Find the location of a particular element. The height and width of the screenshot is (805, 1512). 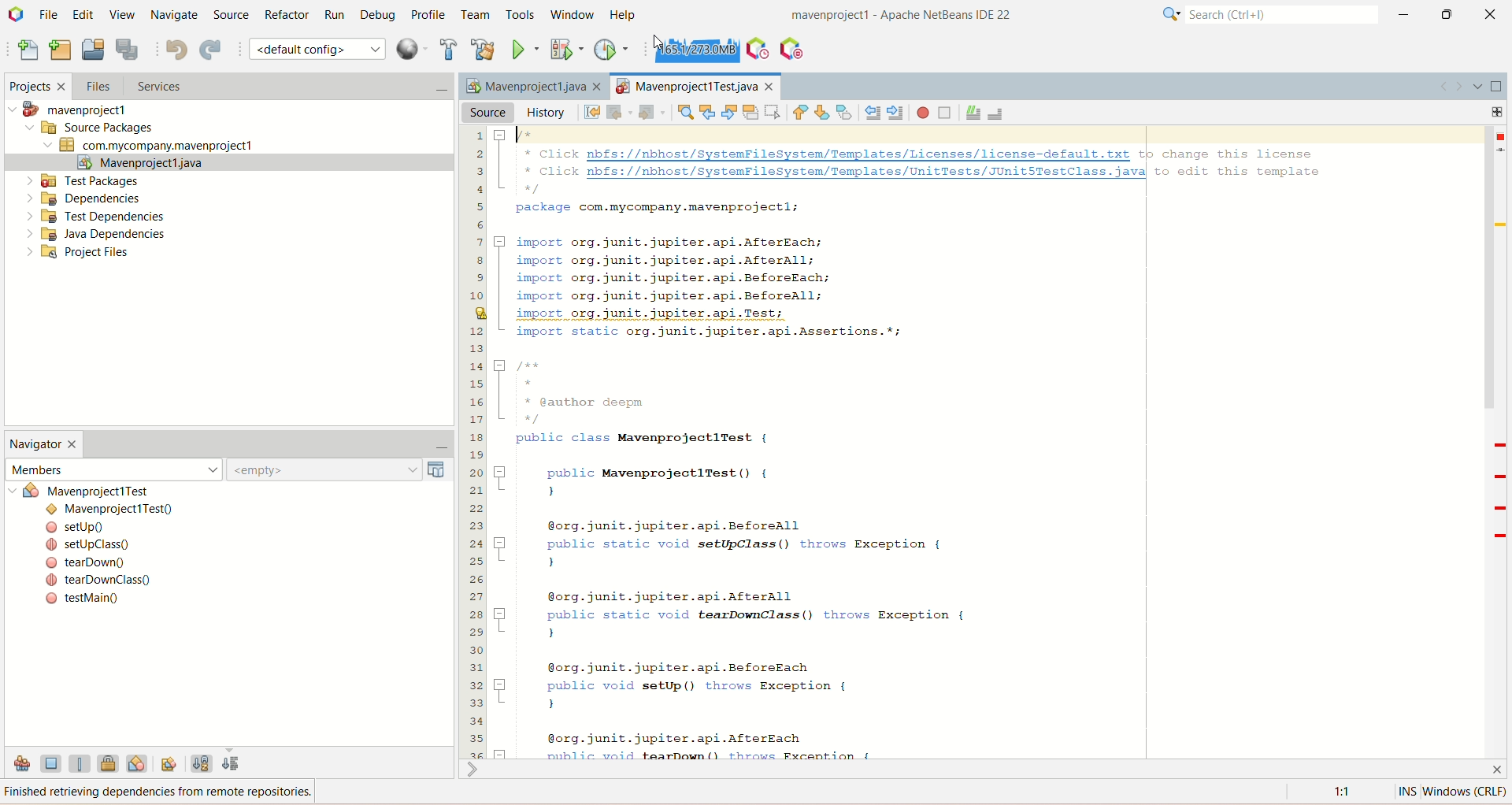

( tearDownClass() is located at coordinates (95, 581).